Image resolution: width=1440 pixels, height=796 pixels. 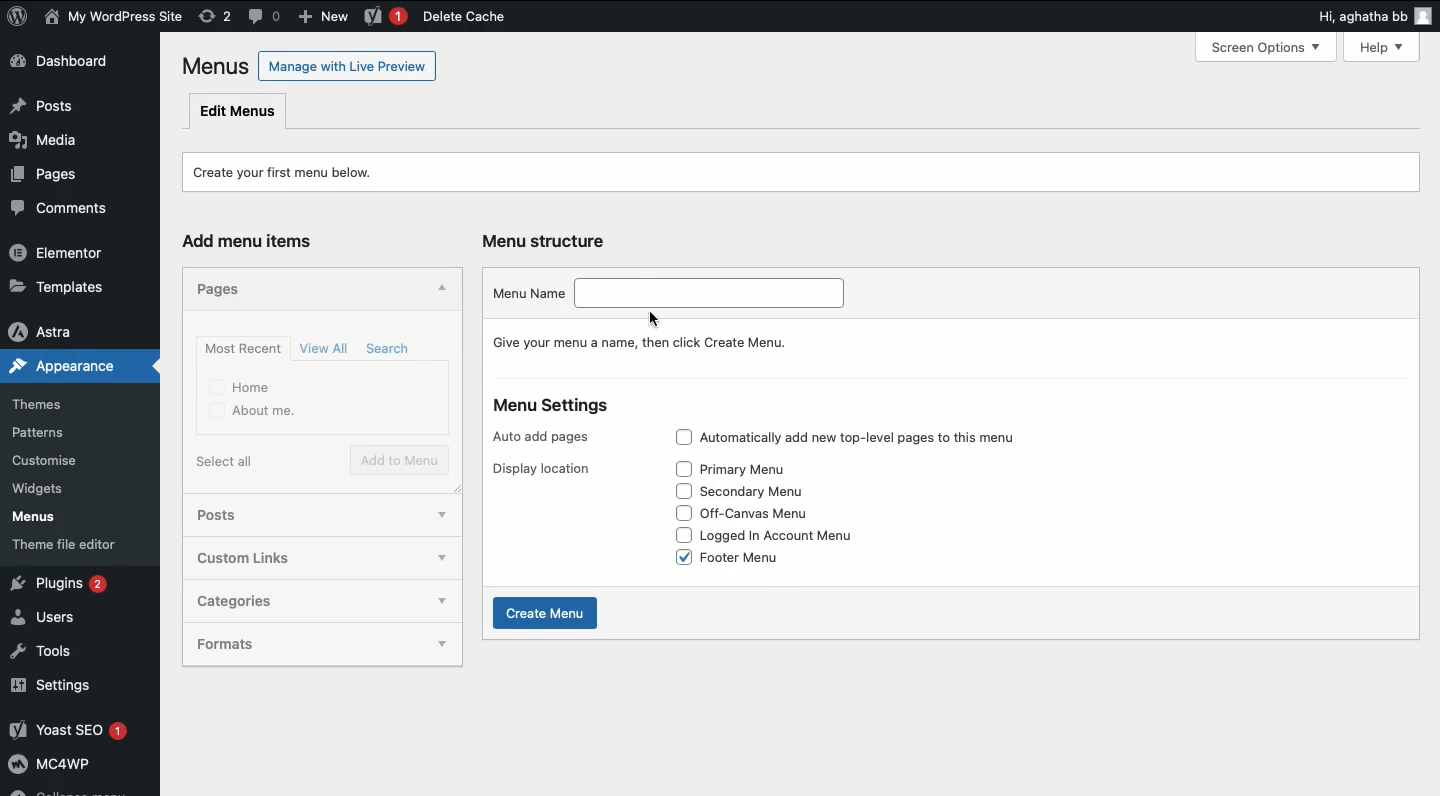 I want to click on Select all, so click(x=224, y=461).